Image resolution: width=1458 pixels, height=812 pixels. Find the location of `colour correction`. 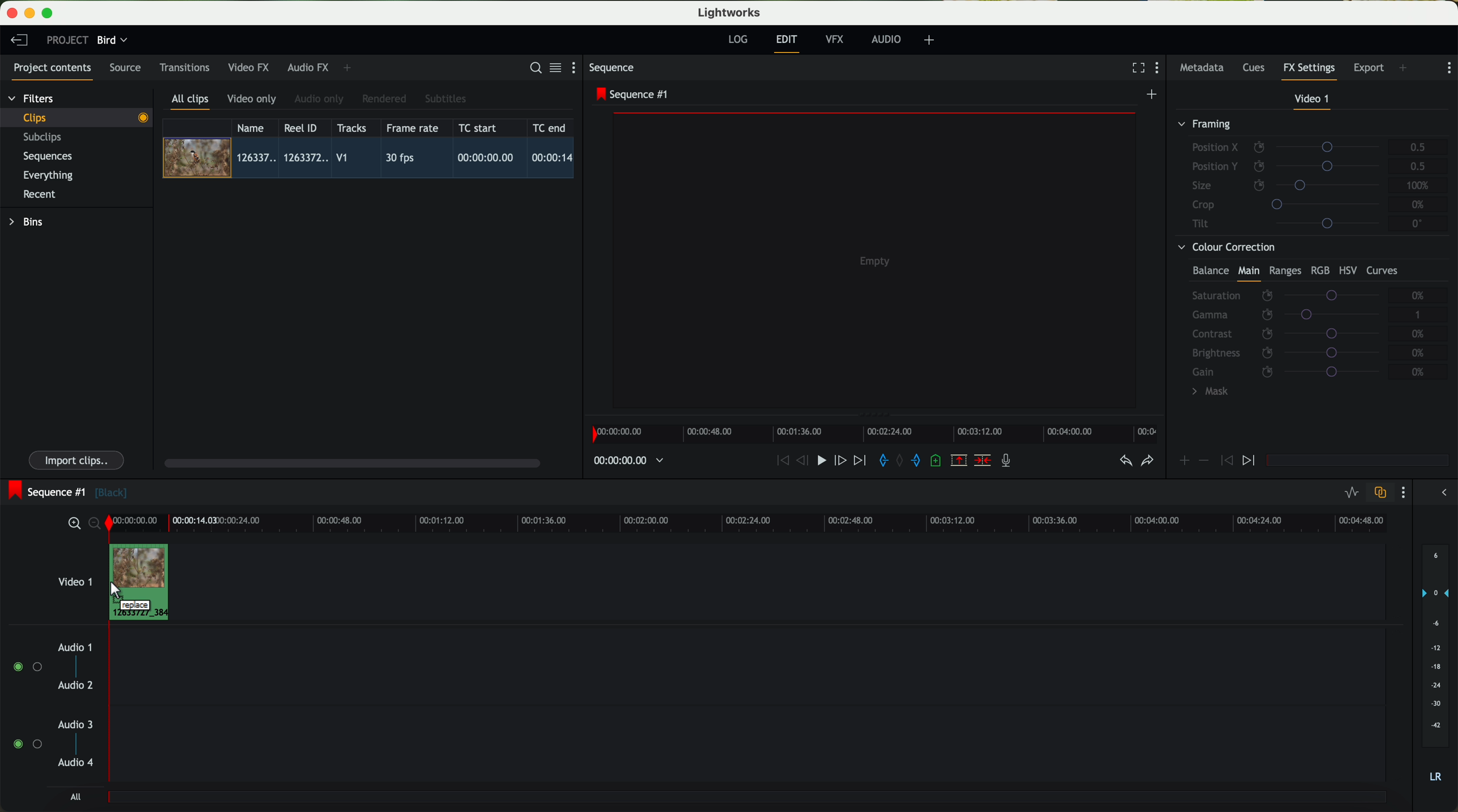

colour correction is located at coordinates (1225, 247).